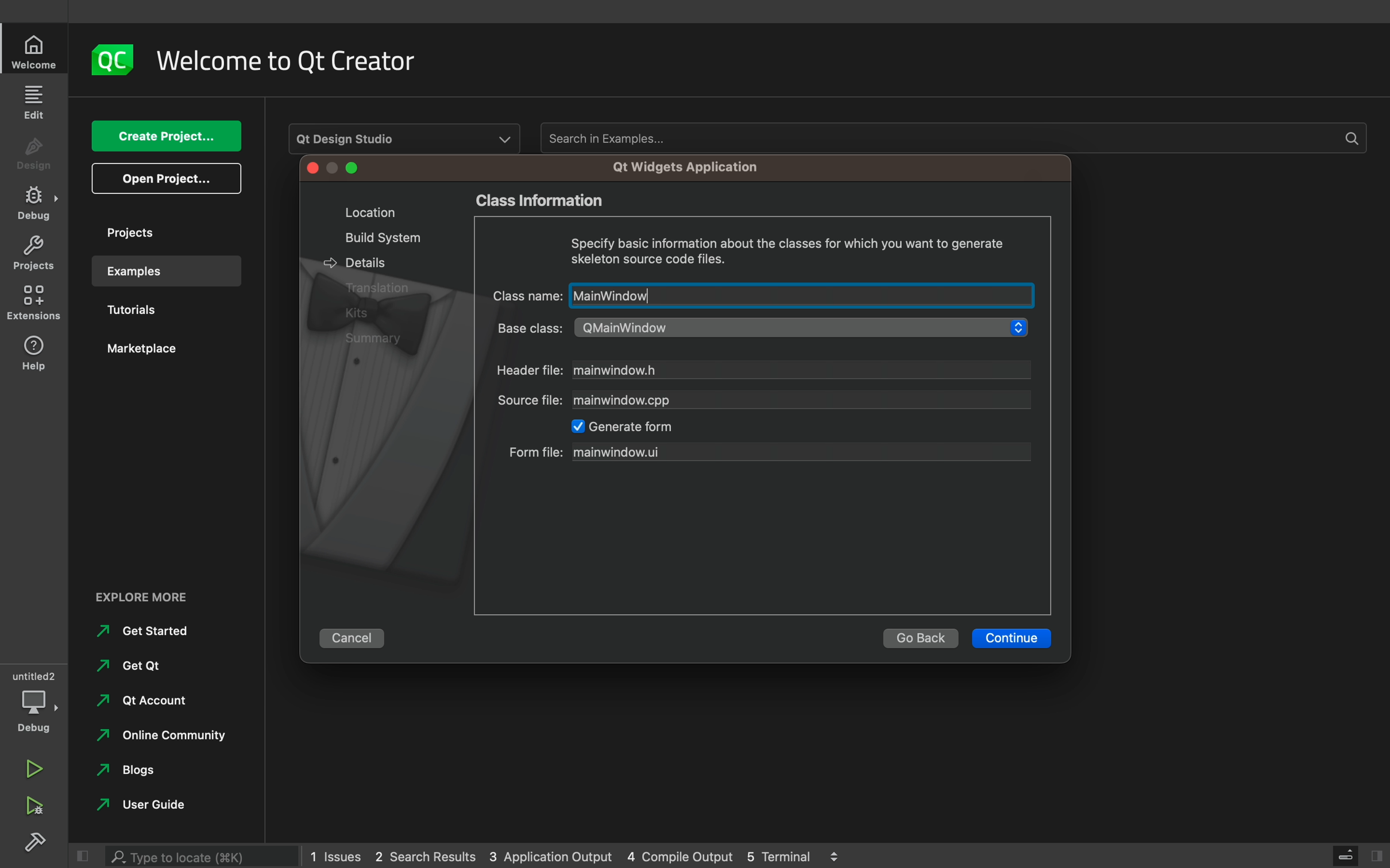 Image resolution: width=1390 pixels, height=868 pixels. I want to click on searchbar, so click(204, 852).